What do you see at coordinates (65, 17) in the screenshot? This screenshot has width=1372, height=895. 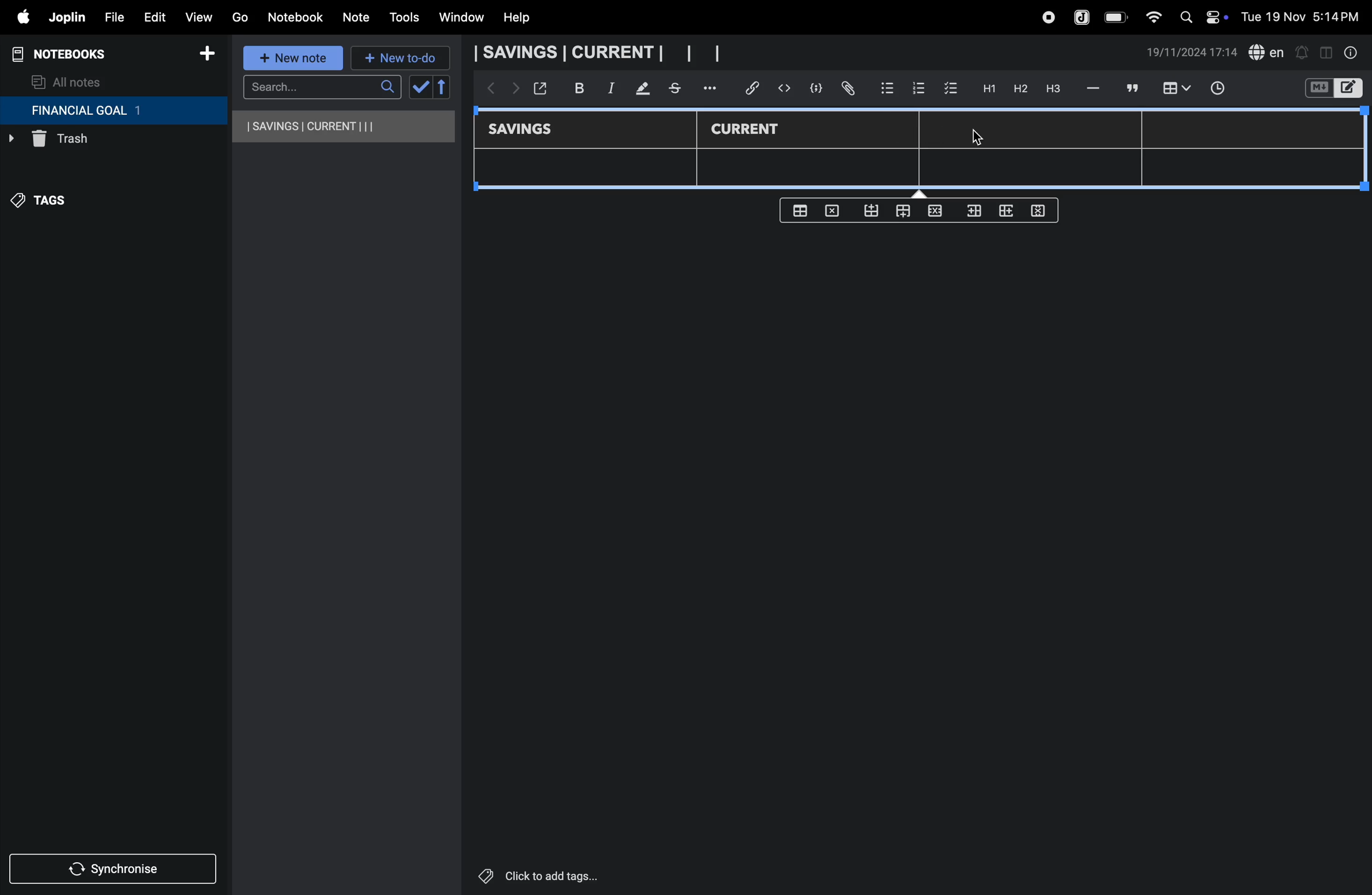 I see `joplin menu` at bounding box center [65, 17].